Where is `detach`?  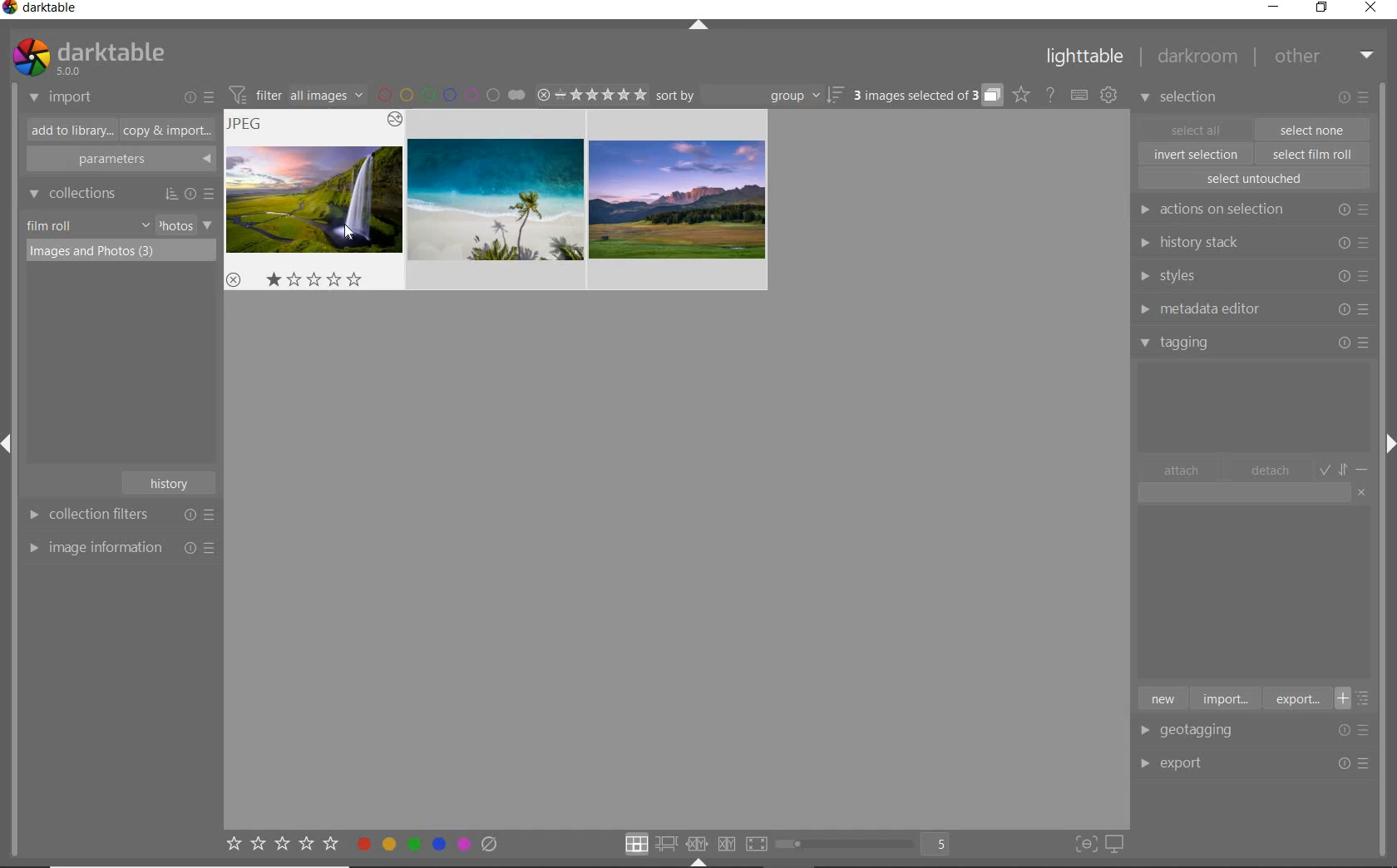
detach is located at coordinates (1271, 471).